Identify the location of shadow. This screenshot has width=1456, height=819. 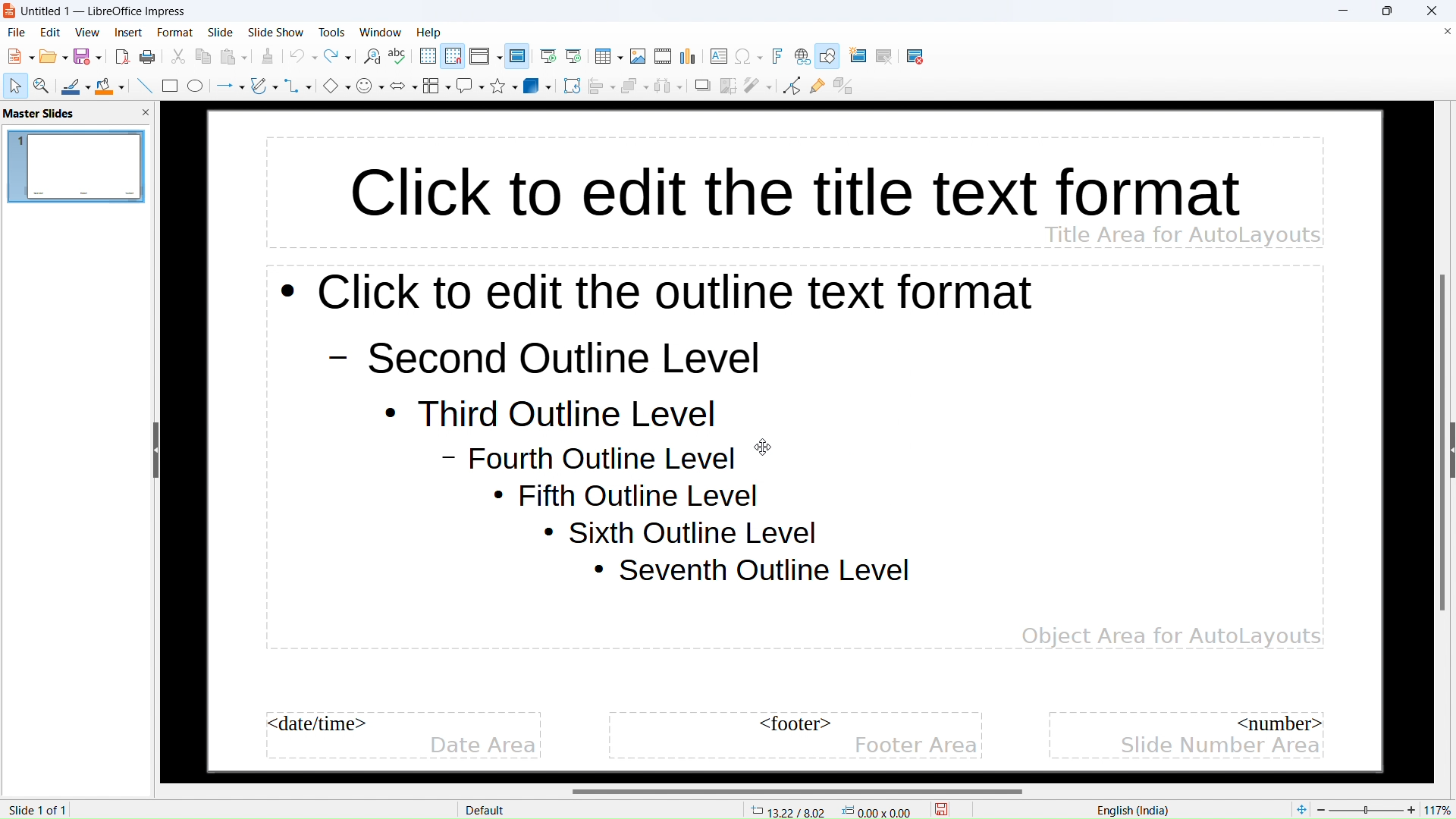
(703, 85).